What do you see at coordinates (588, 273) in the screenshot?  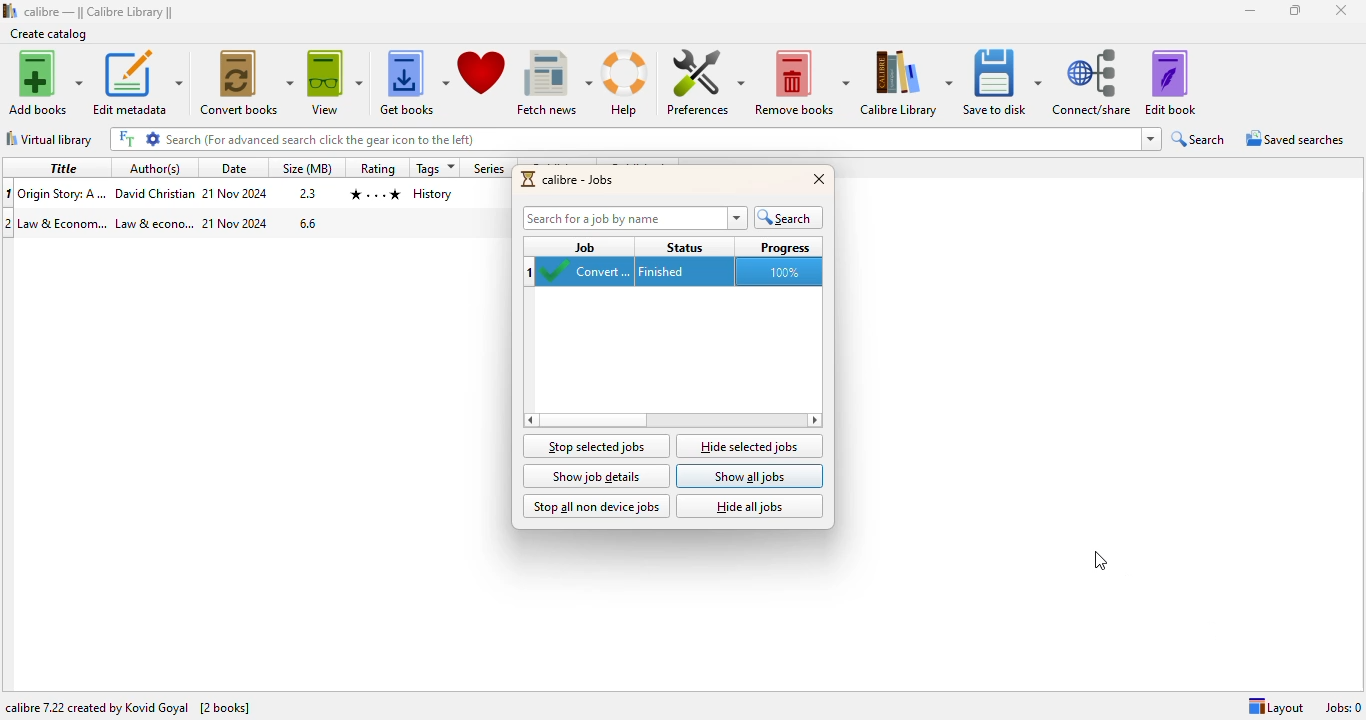 I see `convert to MOBI` at bounding box center [588, 273].